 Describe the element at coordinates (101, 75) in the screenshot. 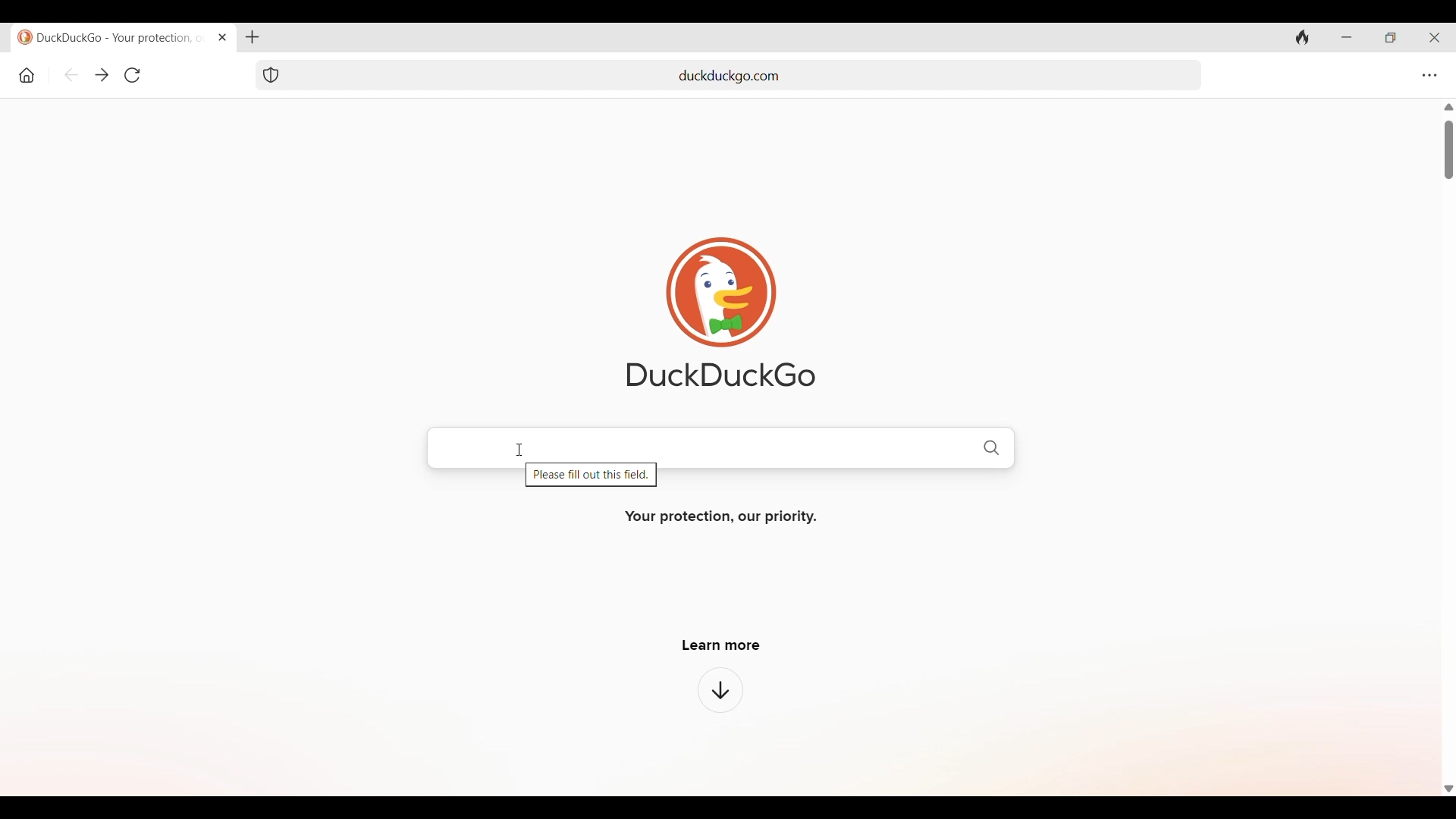

I see `Go forward ` at that location.